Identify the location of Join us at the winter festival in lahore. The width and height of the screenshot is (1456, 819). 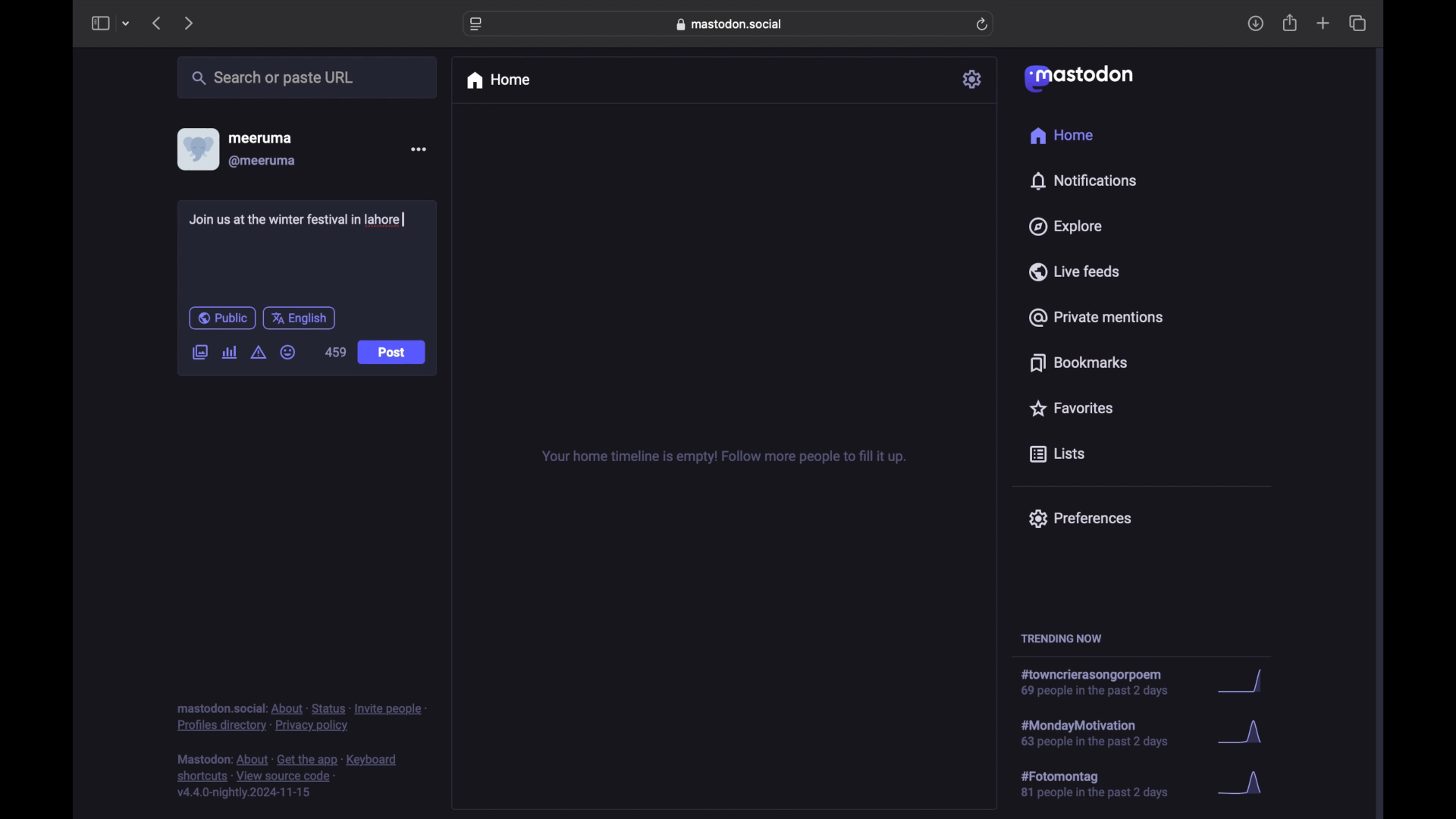
(297, 222).